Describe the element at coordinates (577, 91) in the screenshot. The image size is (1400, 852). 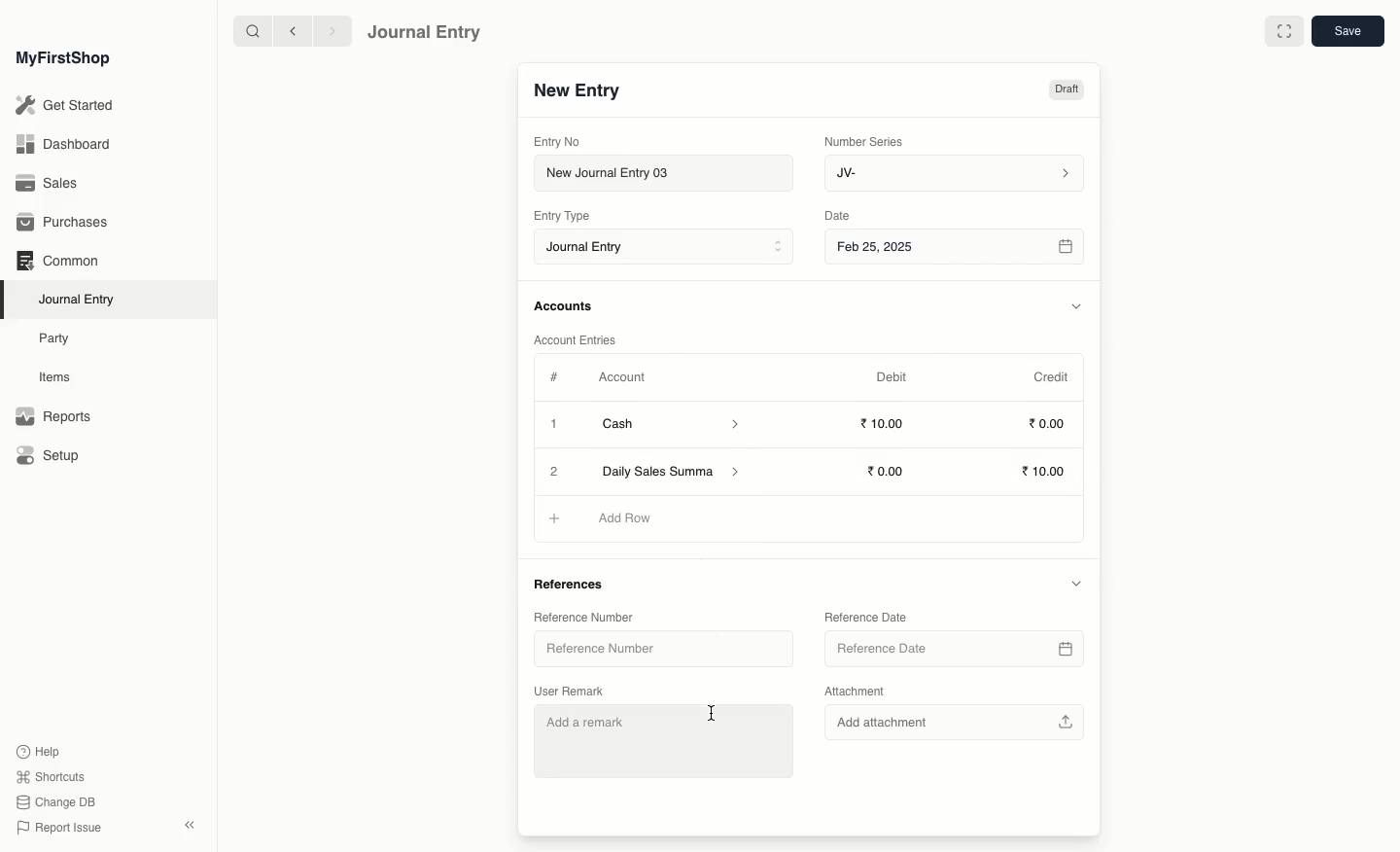
I see `New Entry` at that location.